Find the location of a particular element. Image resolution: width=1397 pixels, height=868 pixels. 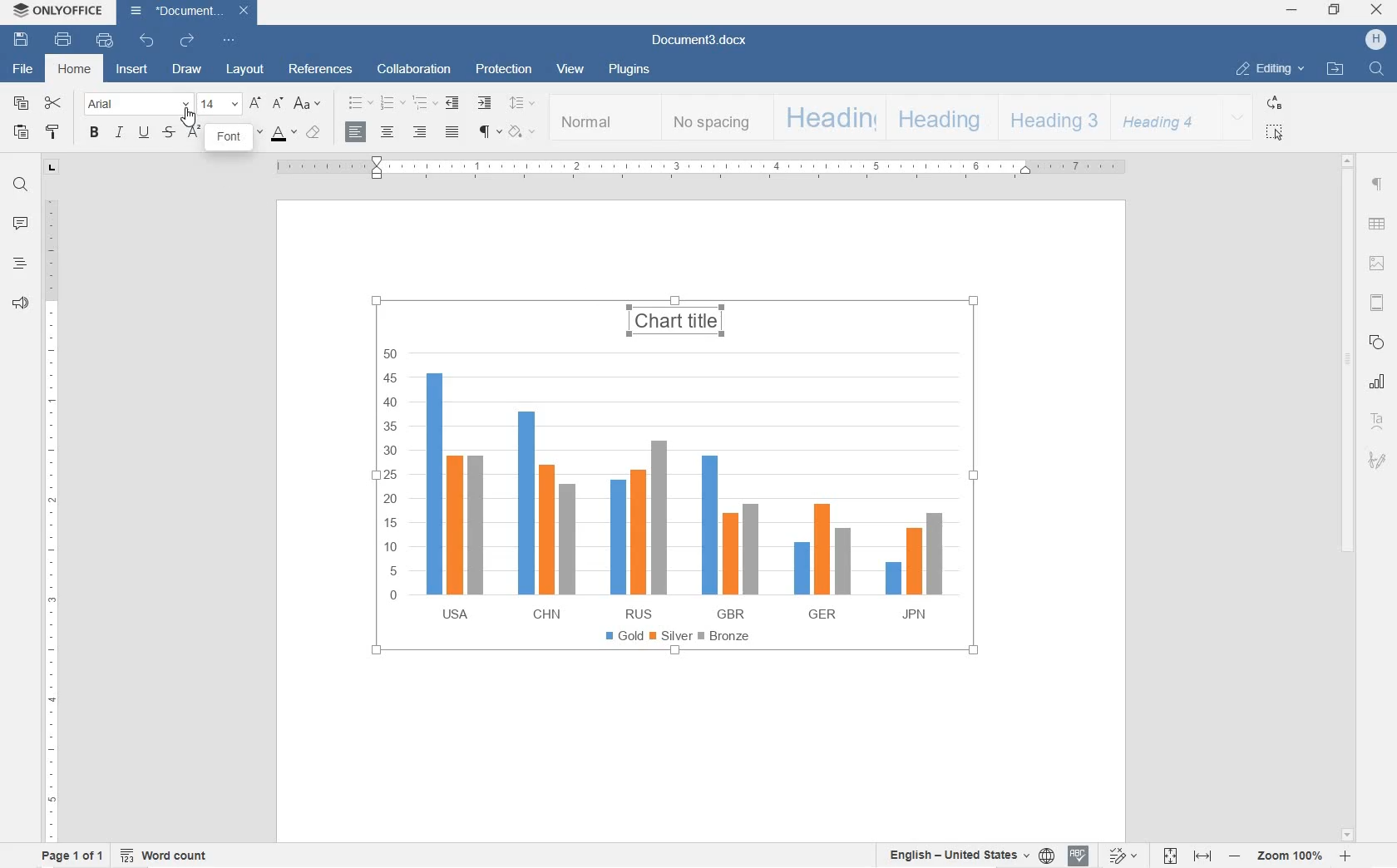

QUICK PRINT is located at coordinates (101, 41).